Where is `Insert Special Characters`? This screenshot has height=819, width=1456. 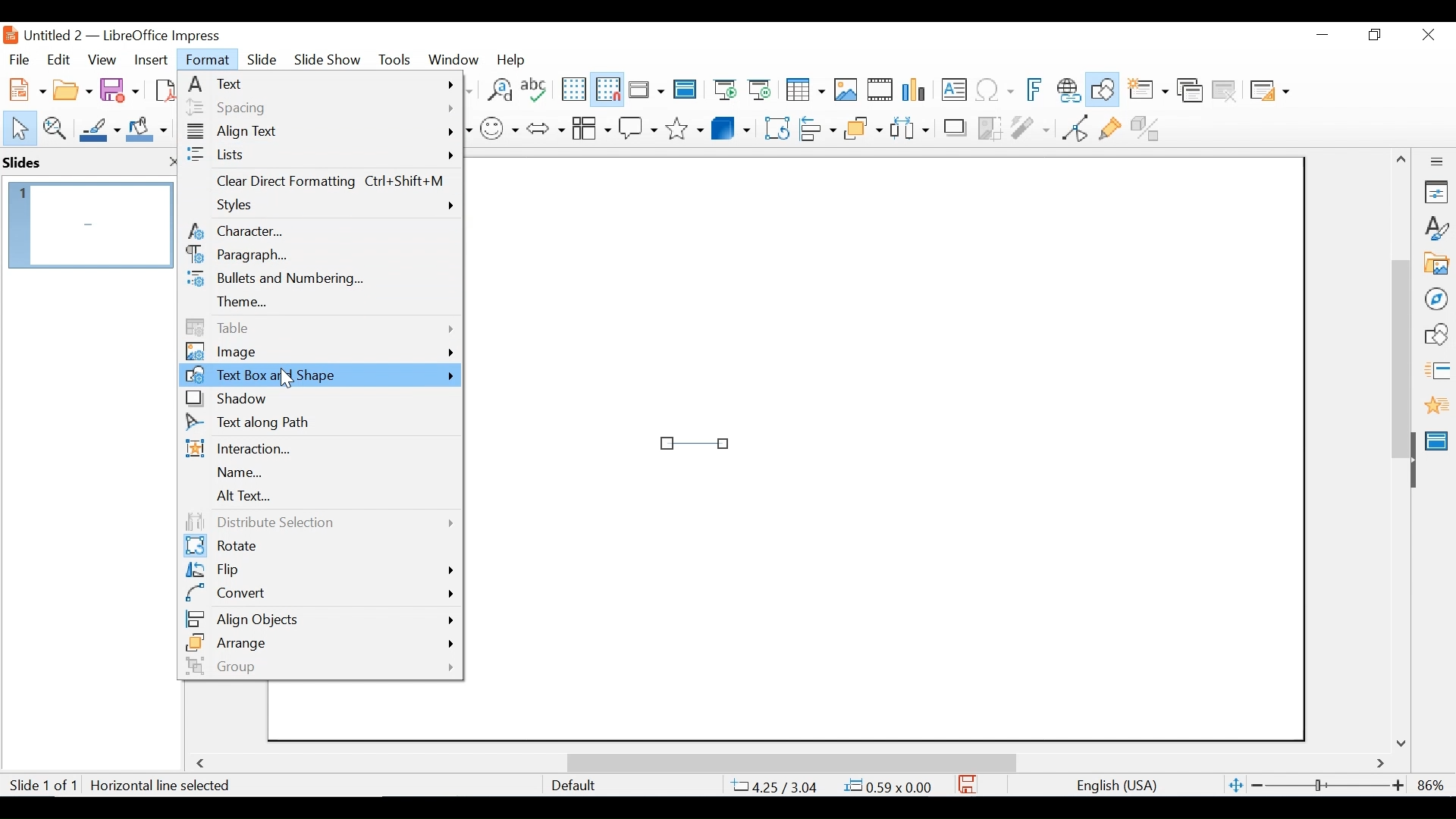 Insert Special Characters is located at coordinates (995, 91).